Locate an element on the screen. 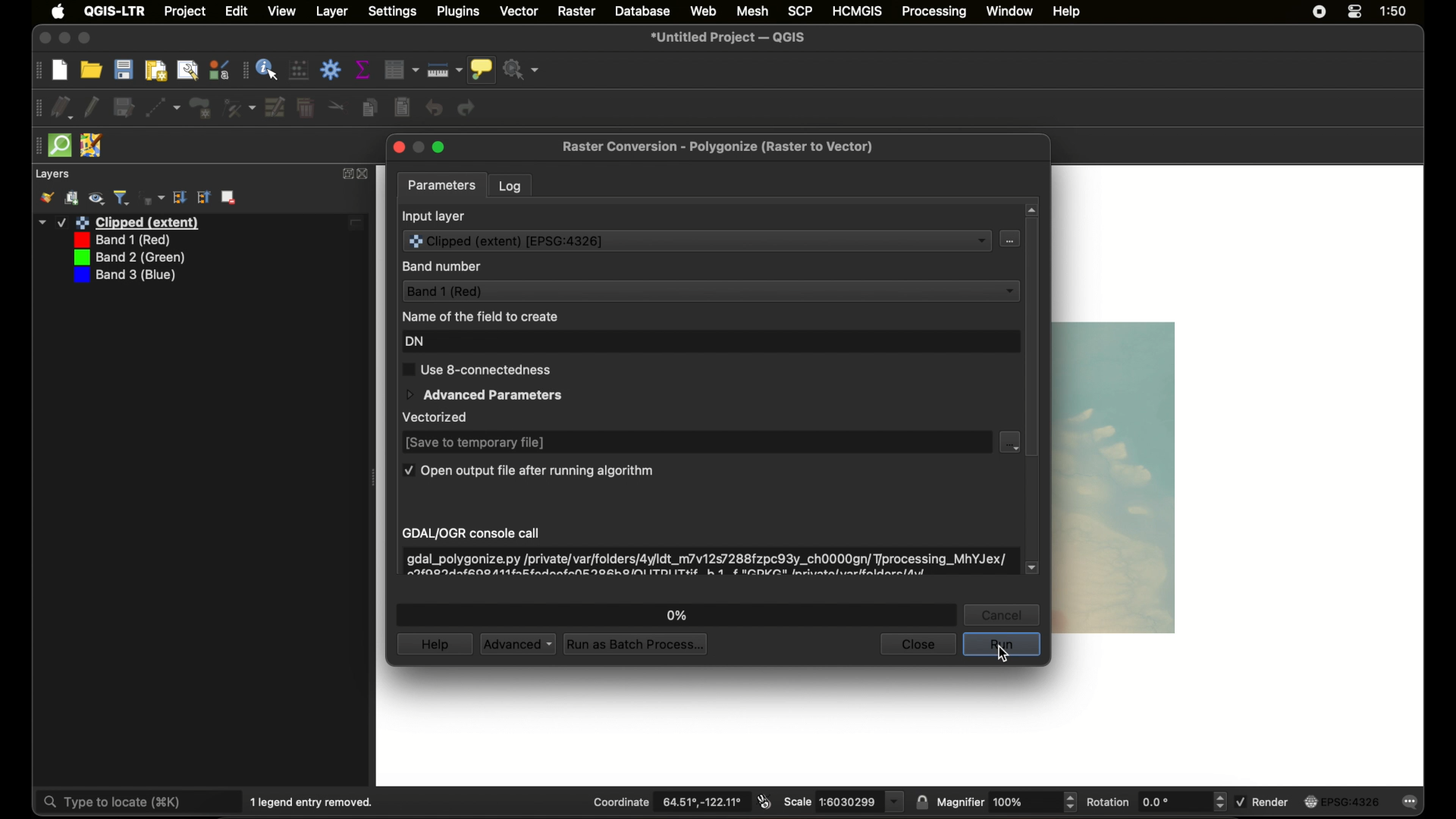  use 8-connectedness is located at coordinates (475, 369).